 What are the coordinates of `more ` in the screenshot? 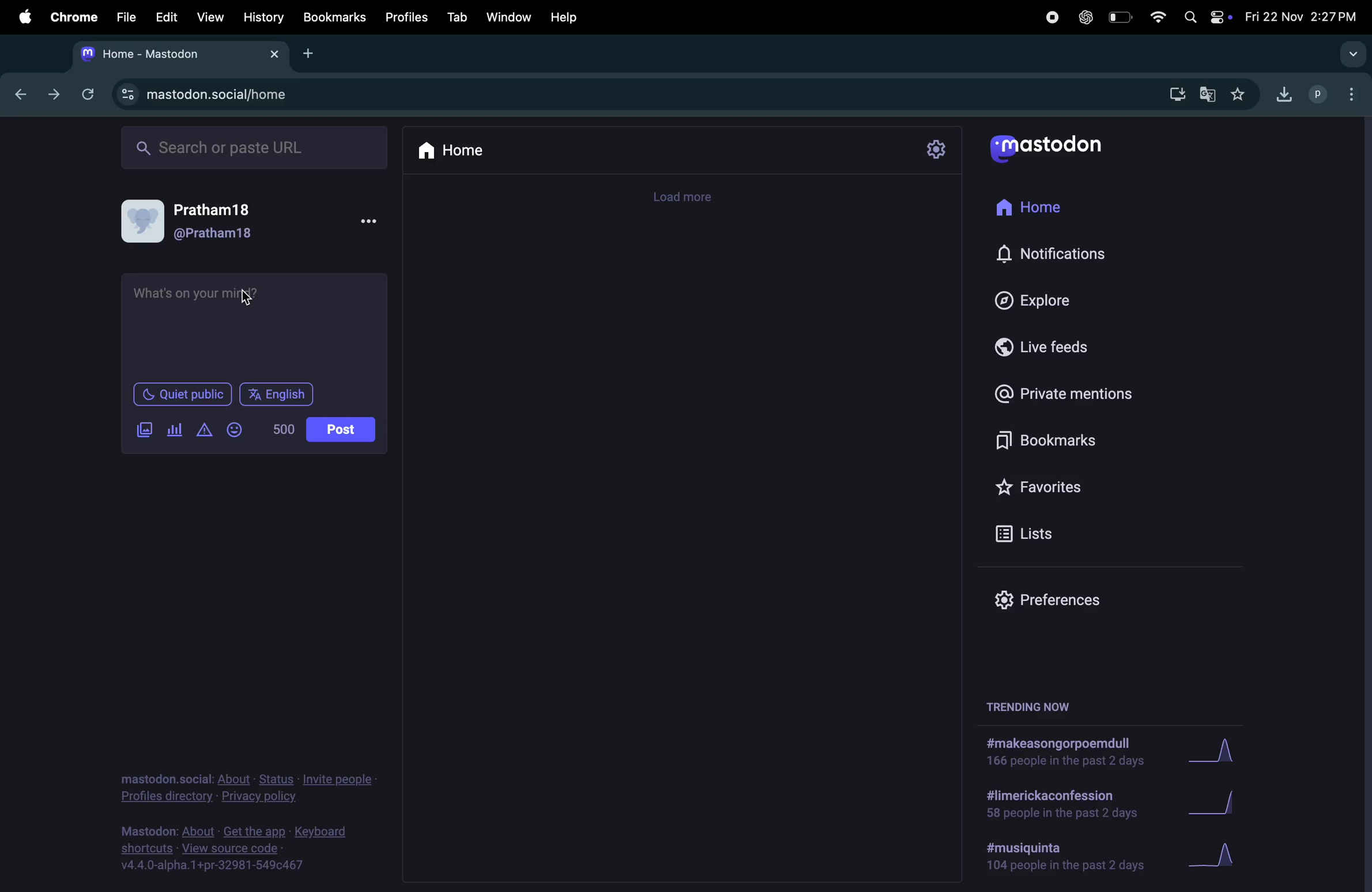 It's located at (372, 223).